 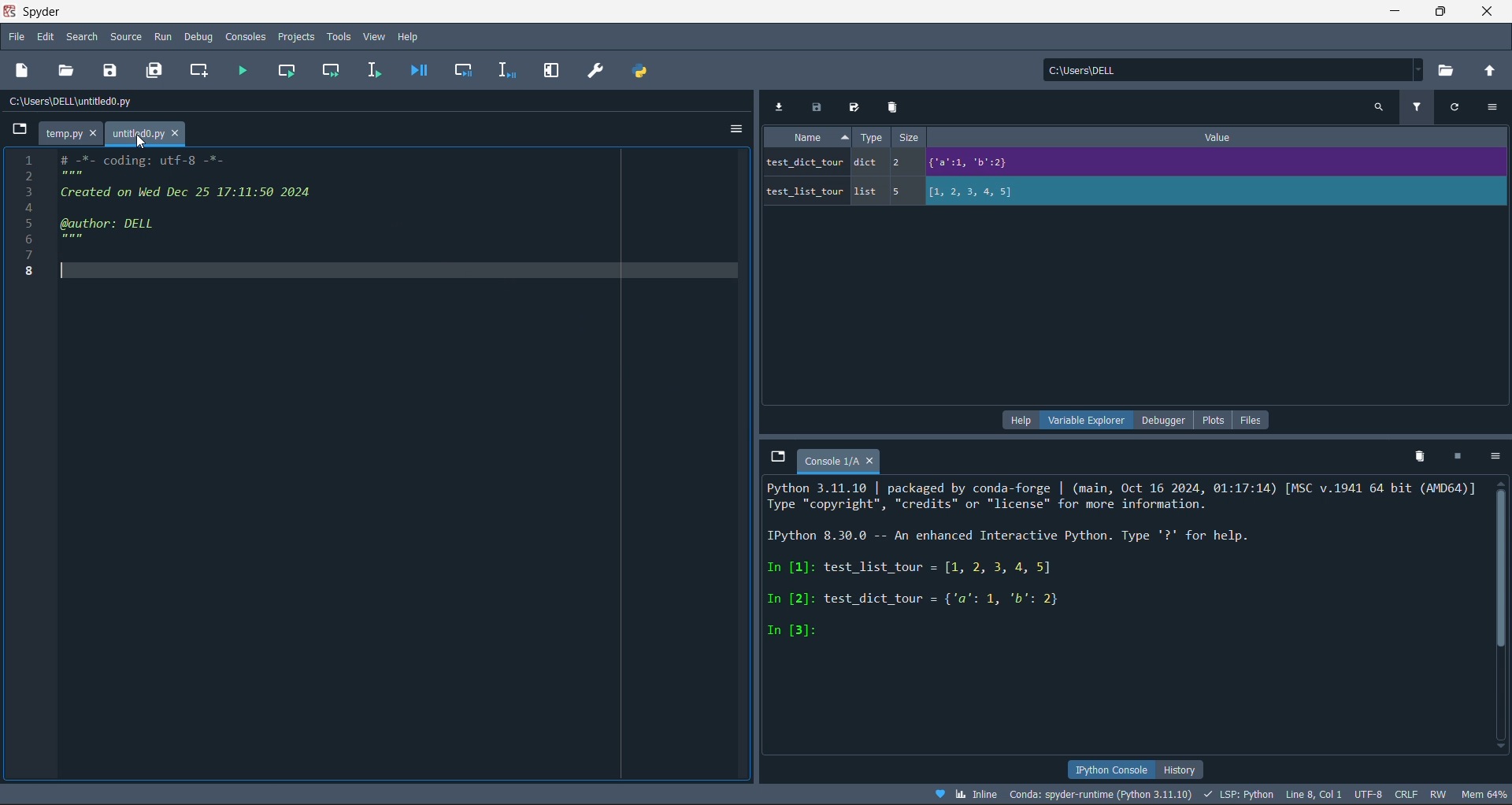 I want to click on new file, so click(x=24, y=69).